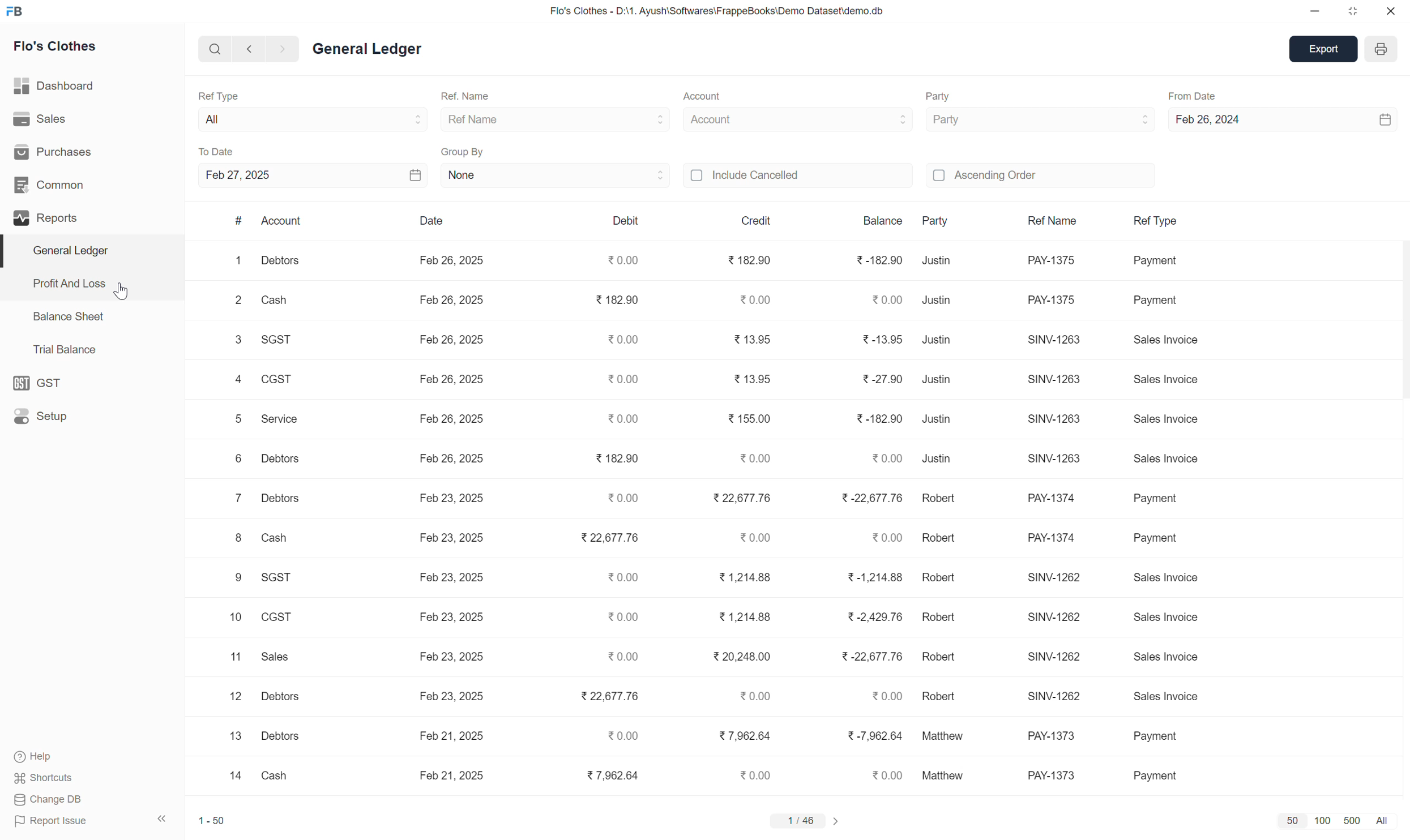 This screenshot has height=840, width=1410. Describe the element at coordinates (986, 179) in the screenshot. I see `Ascending Order` at that location.